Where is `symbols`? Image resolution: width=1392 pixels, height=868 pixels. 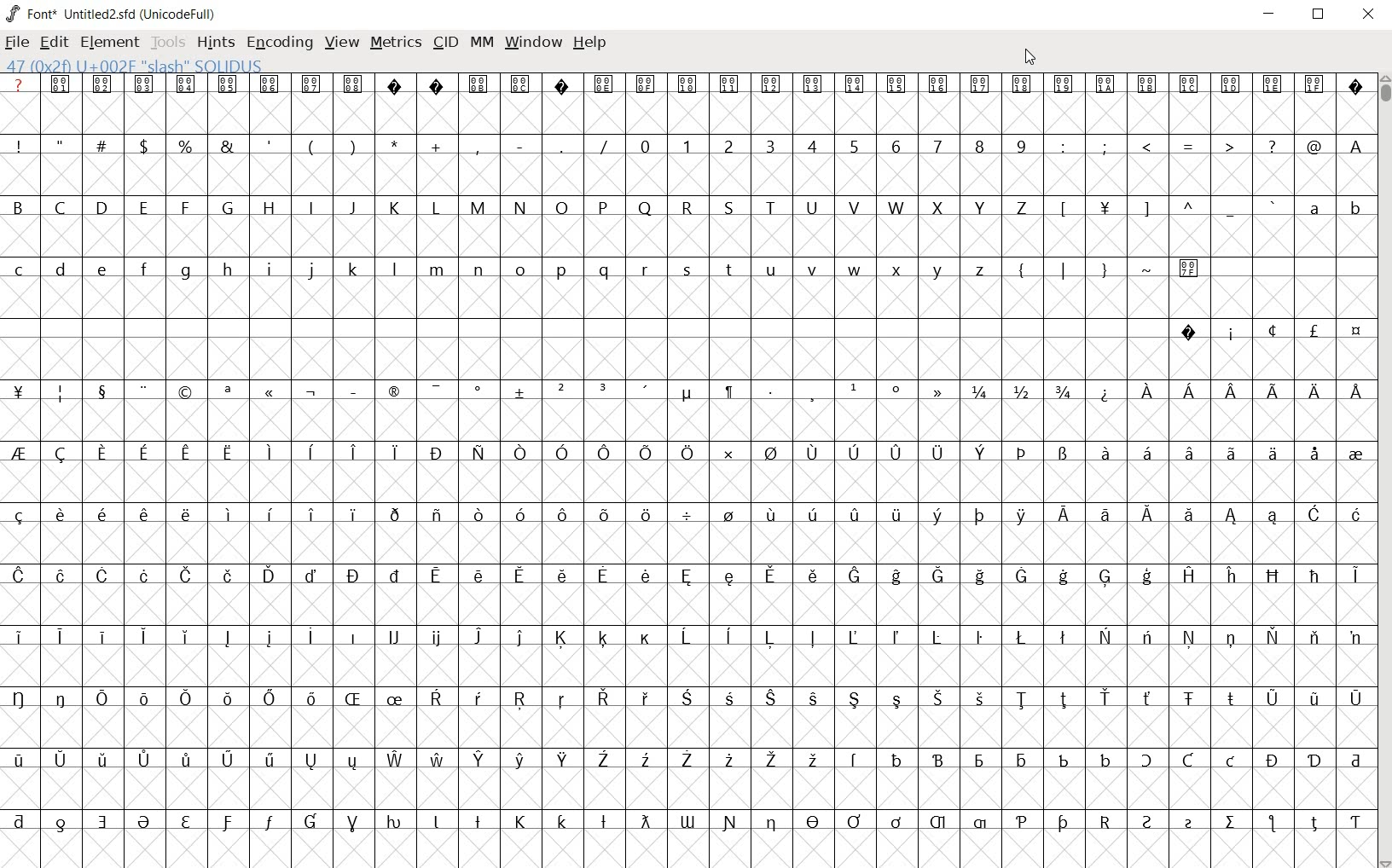
symbols is located at coordinates (1106, 267).